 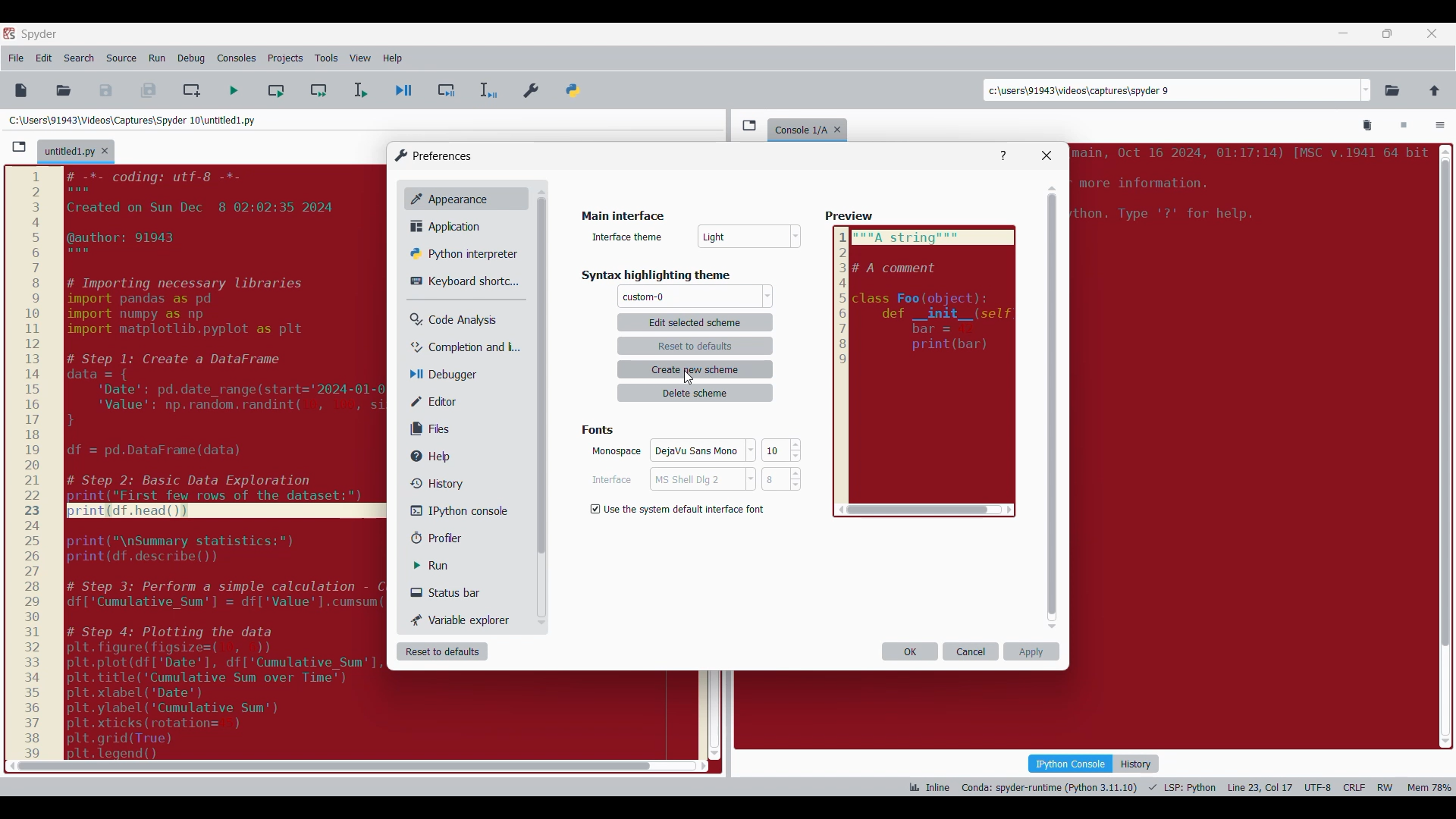 I want to click on Files, so click(x=467, y=428).